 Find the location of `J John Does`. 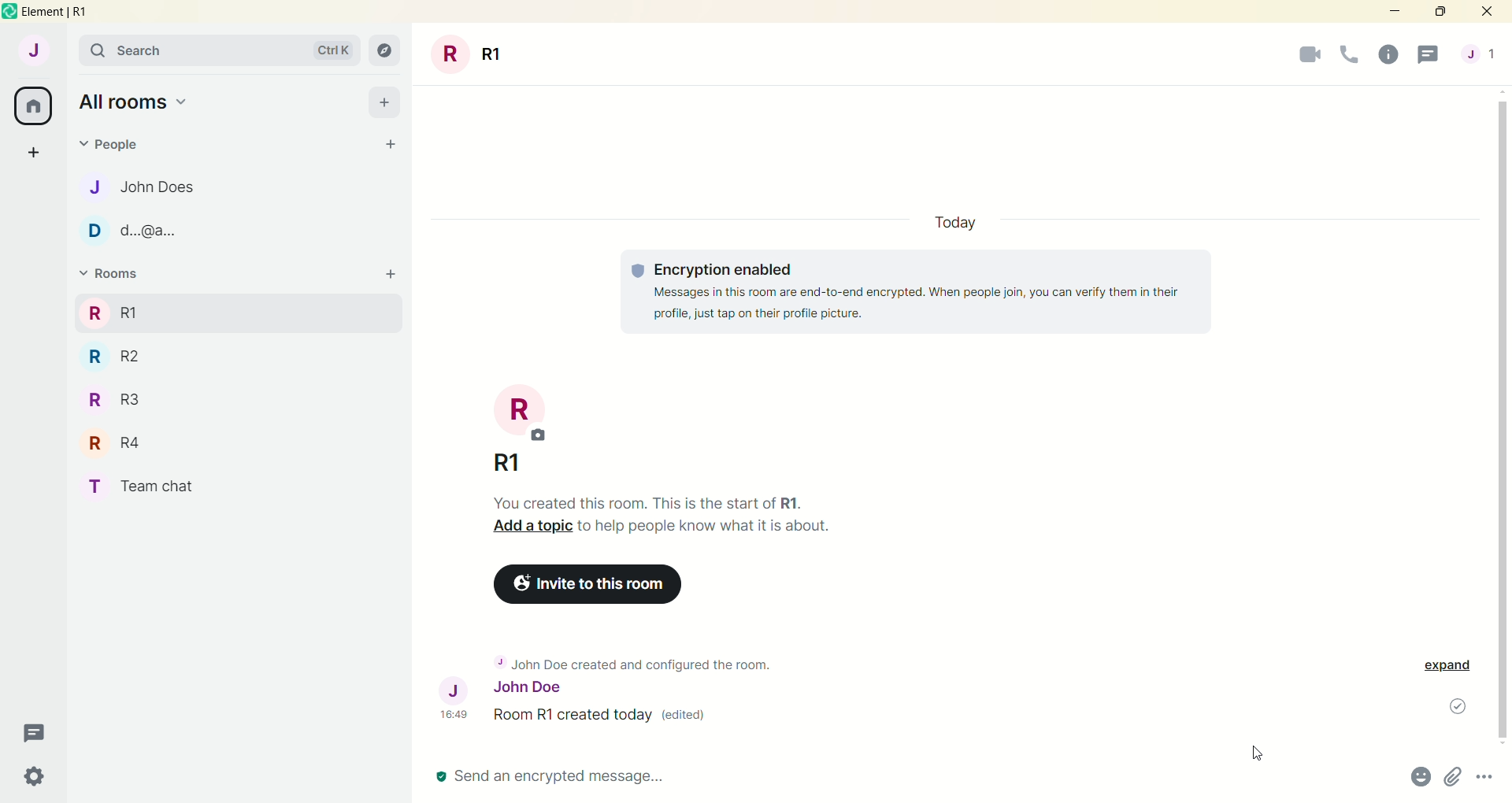

J John Does is located at coordinates (151, 187).